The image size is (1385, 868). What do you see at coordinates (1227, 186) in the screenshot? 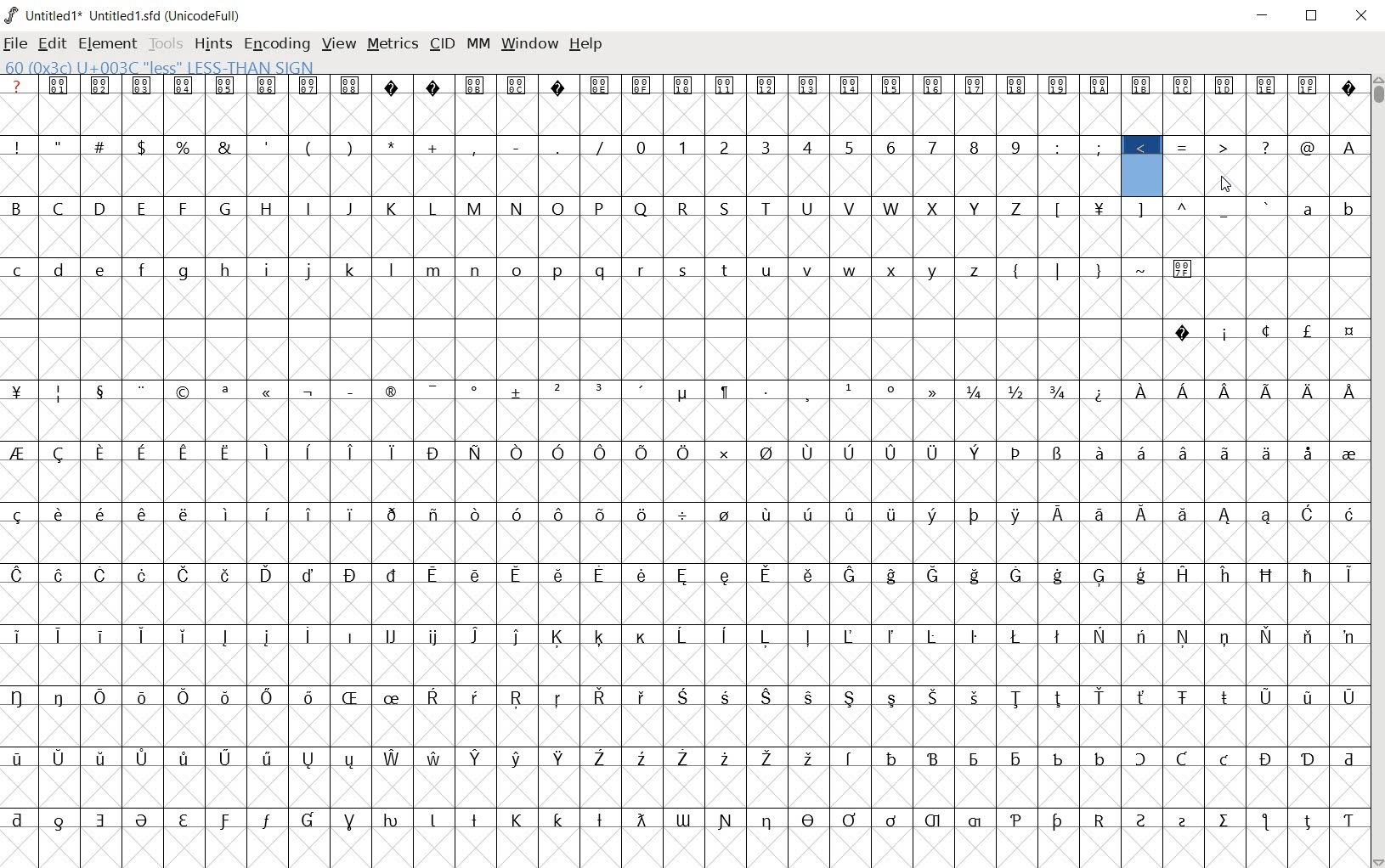
I see `cursor` at bounding box center [1227, 186].